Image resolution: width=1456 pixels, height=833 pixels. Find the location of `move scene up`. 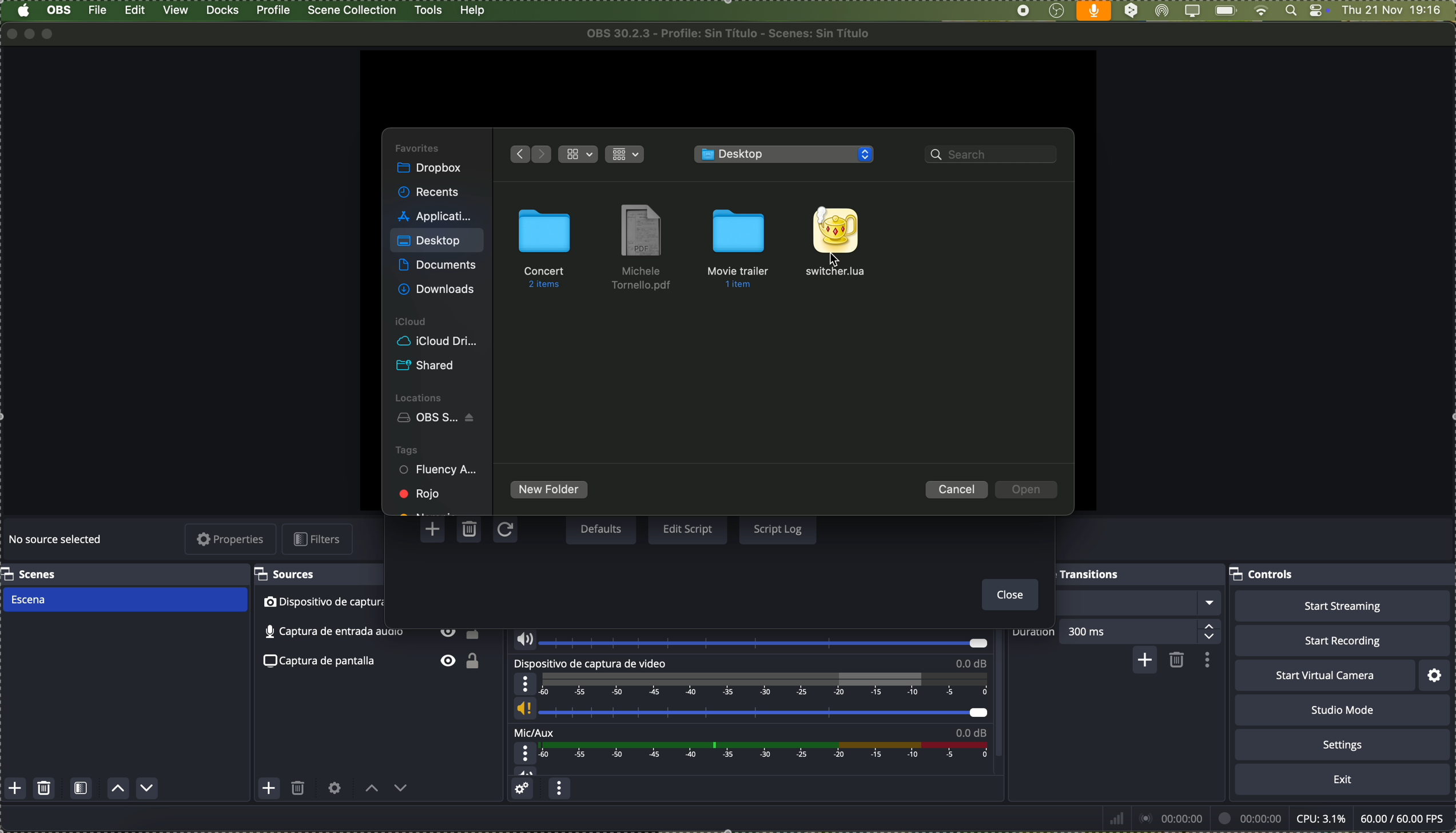

move scene up is located at coordinates (119, 790).